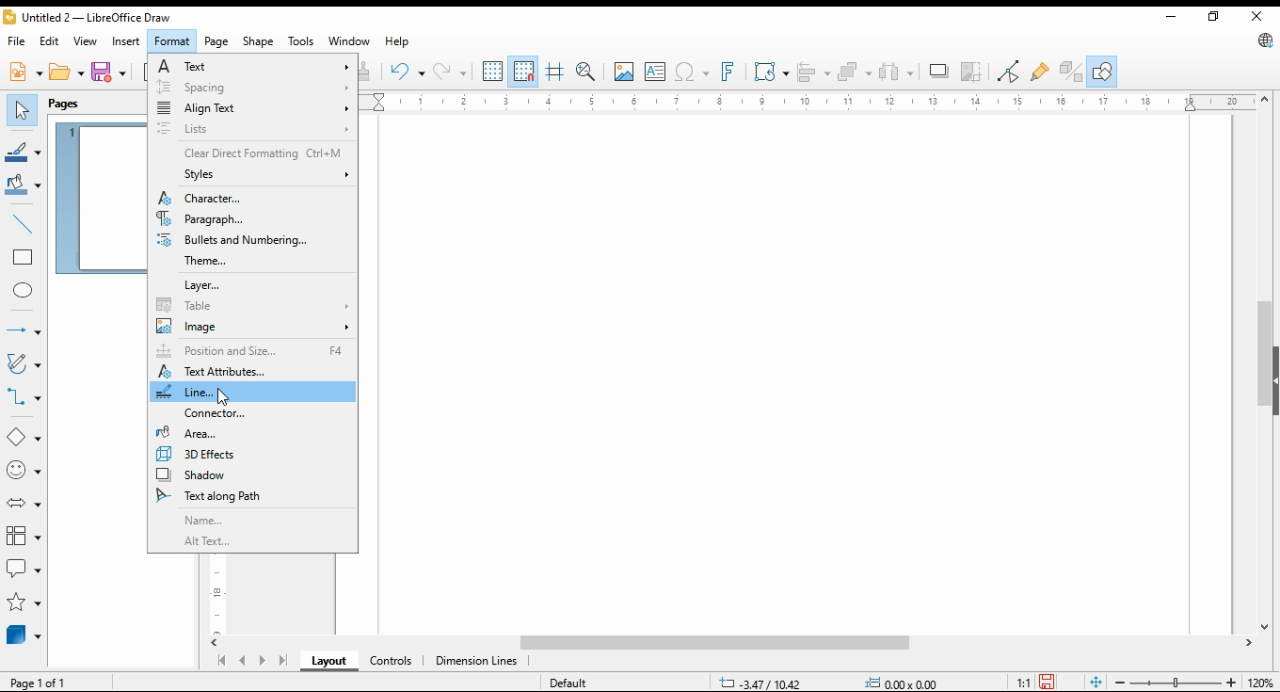 The width and height of the screenshot is (1280, 692). Describe the element at coordinates (245, 197) in the screenshot. I see `character` at that location.